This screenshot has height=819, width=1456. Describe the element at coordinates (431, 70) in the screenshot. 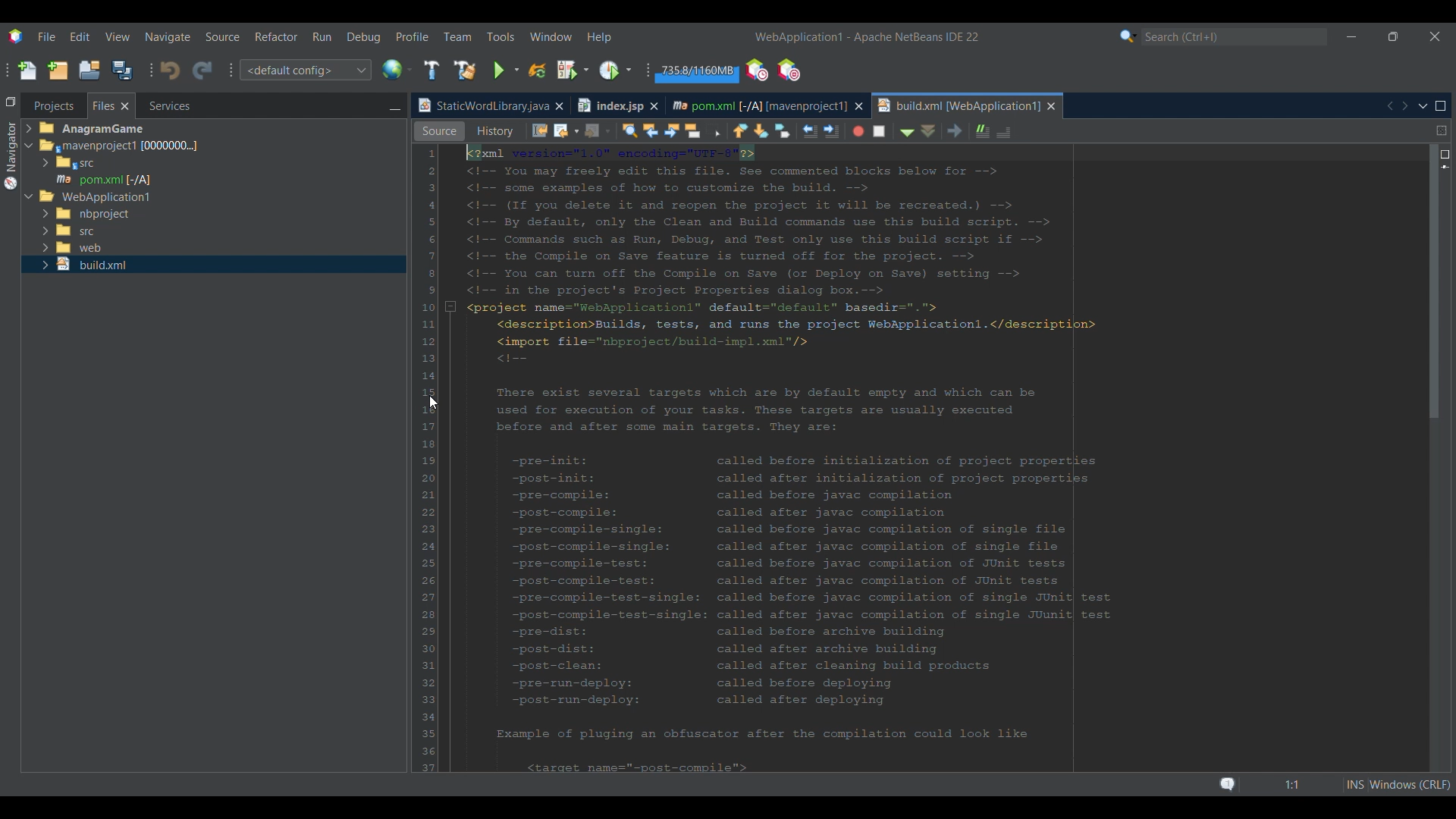

I see `Build main project` at that location.